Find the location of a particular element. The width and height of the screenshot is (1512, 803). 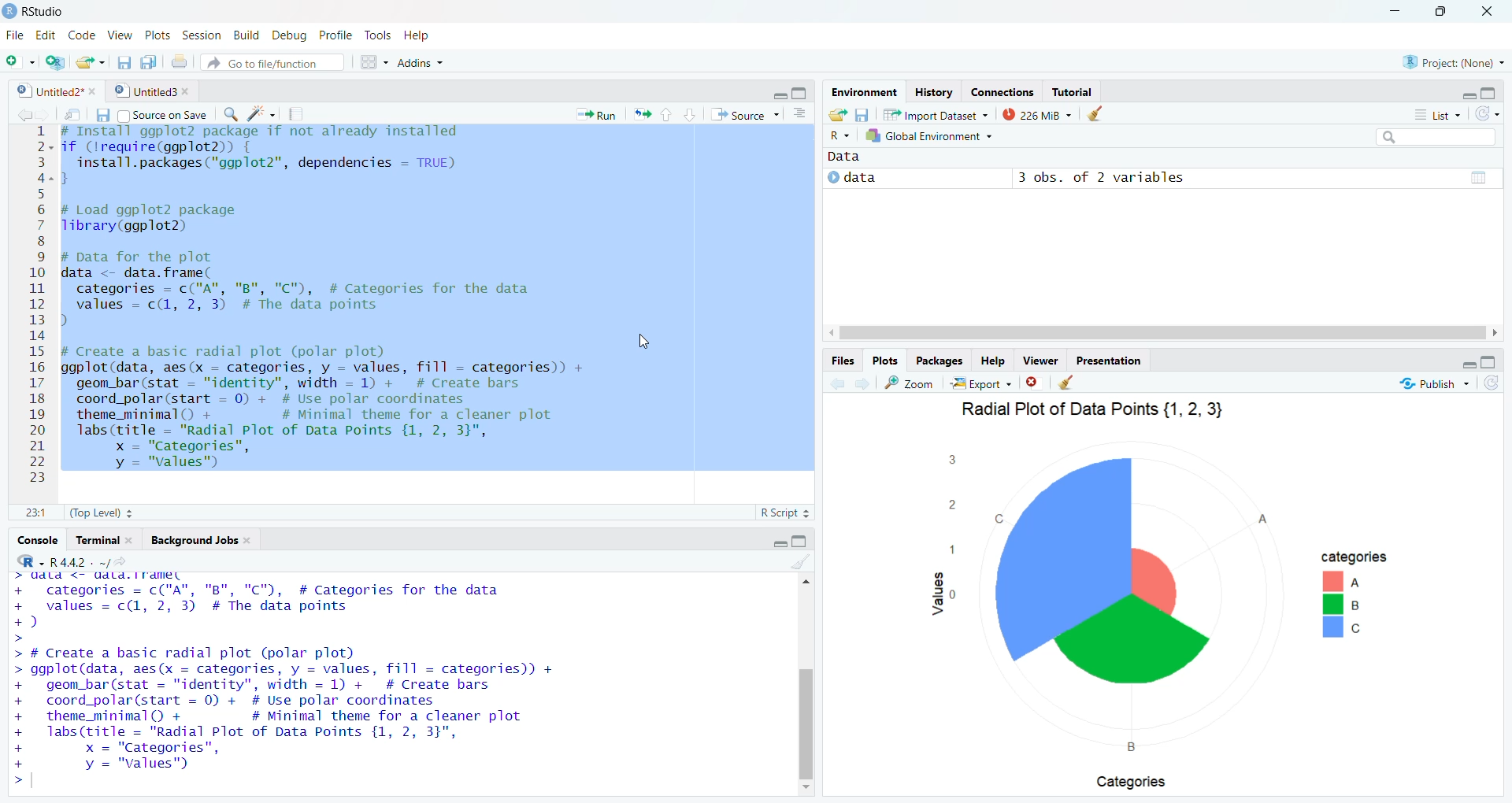

move back is located at coordinates (22, 114).